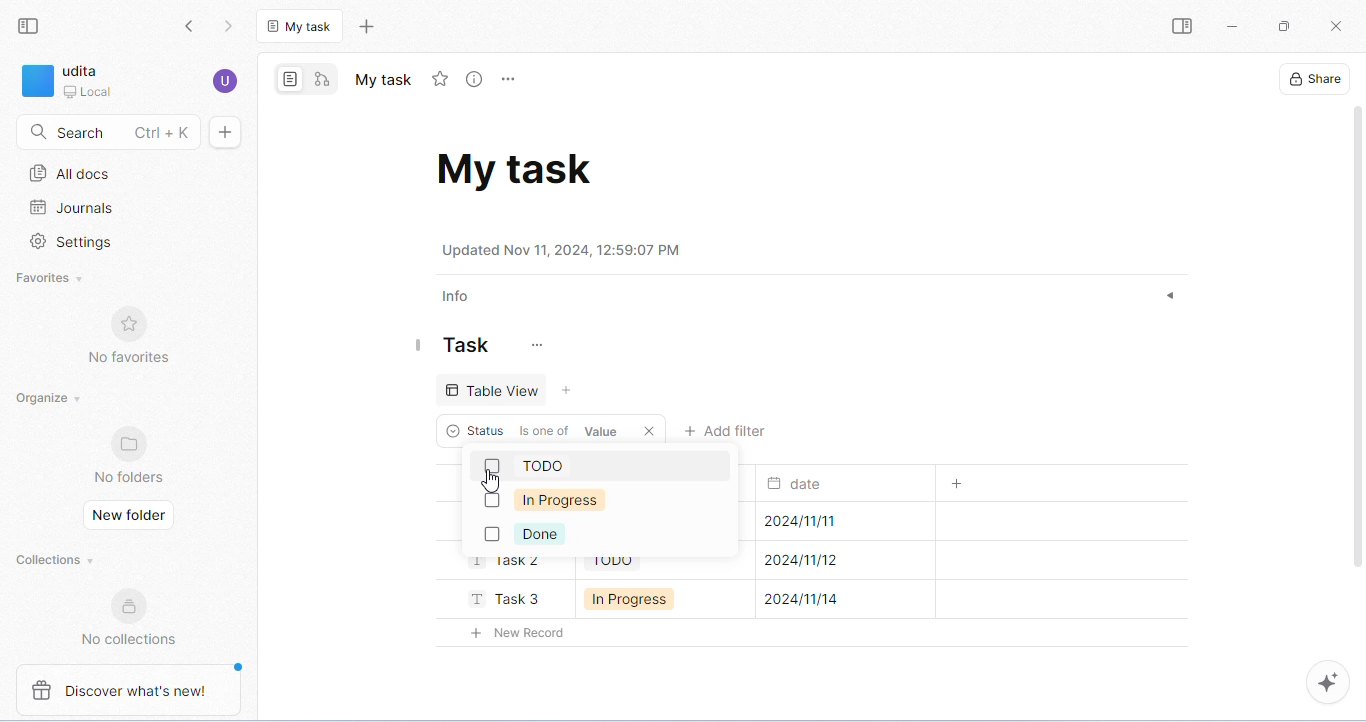  What do you see at coordinates (1282, 26) in the screenshot?
I see `maximize` at bounding box center [1282, 26].